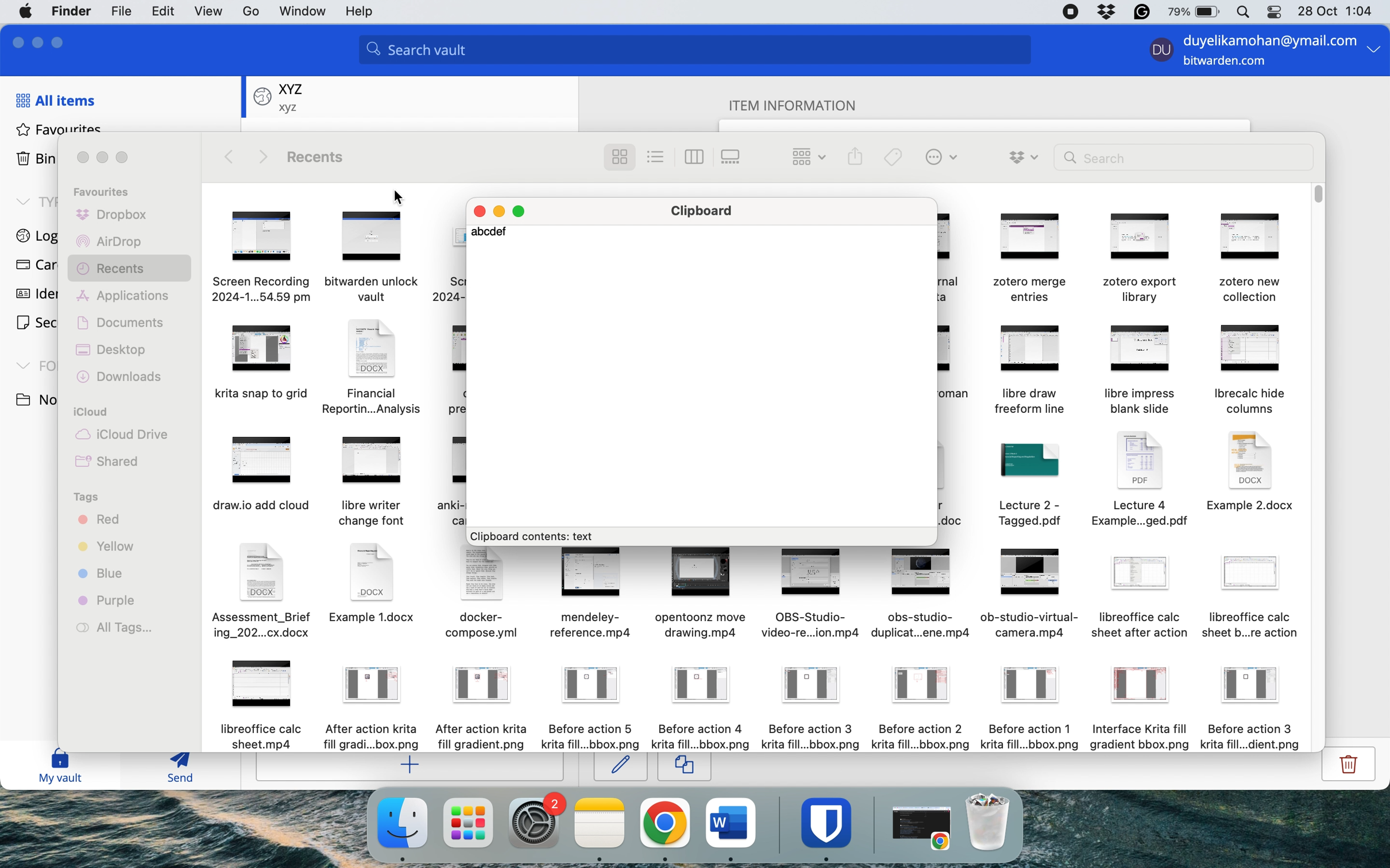 The width and height of the screenshot is (1390, 868). What do you see at coordinates (60, 129) in the screenshot?
I see `favourites` at bounding box center [60, 129].